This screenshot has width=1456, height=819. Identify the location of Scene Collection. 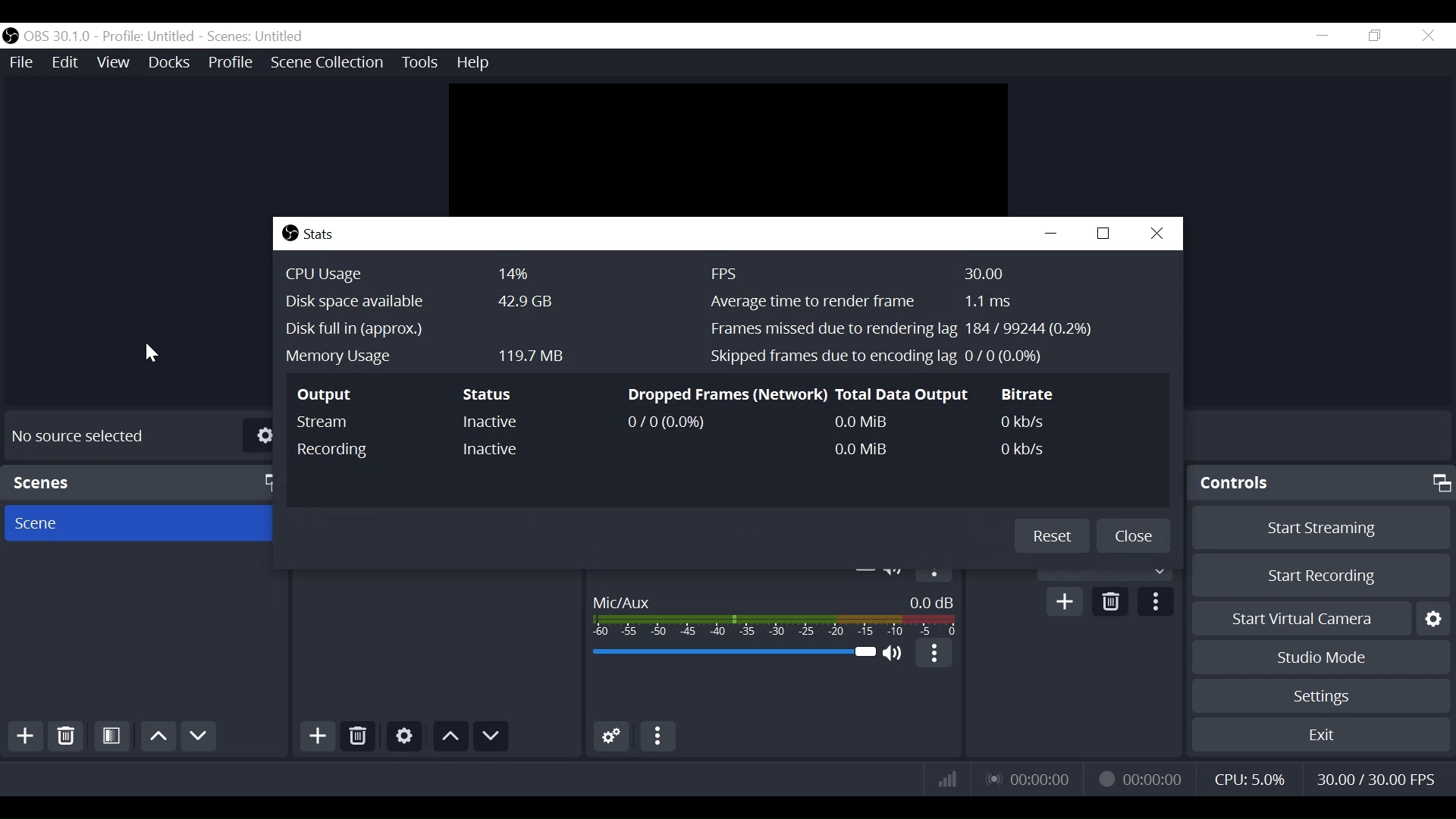
(329, 63).